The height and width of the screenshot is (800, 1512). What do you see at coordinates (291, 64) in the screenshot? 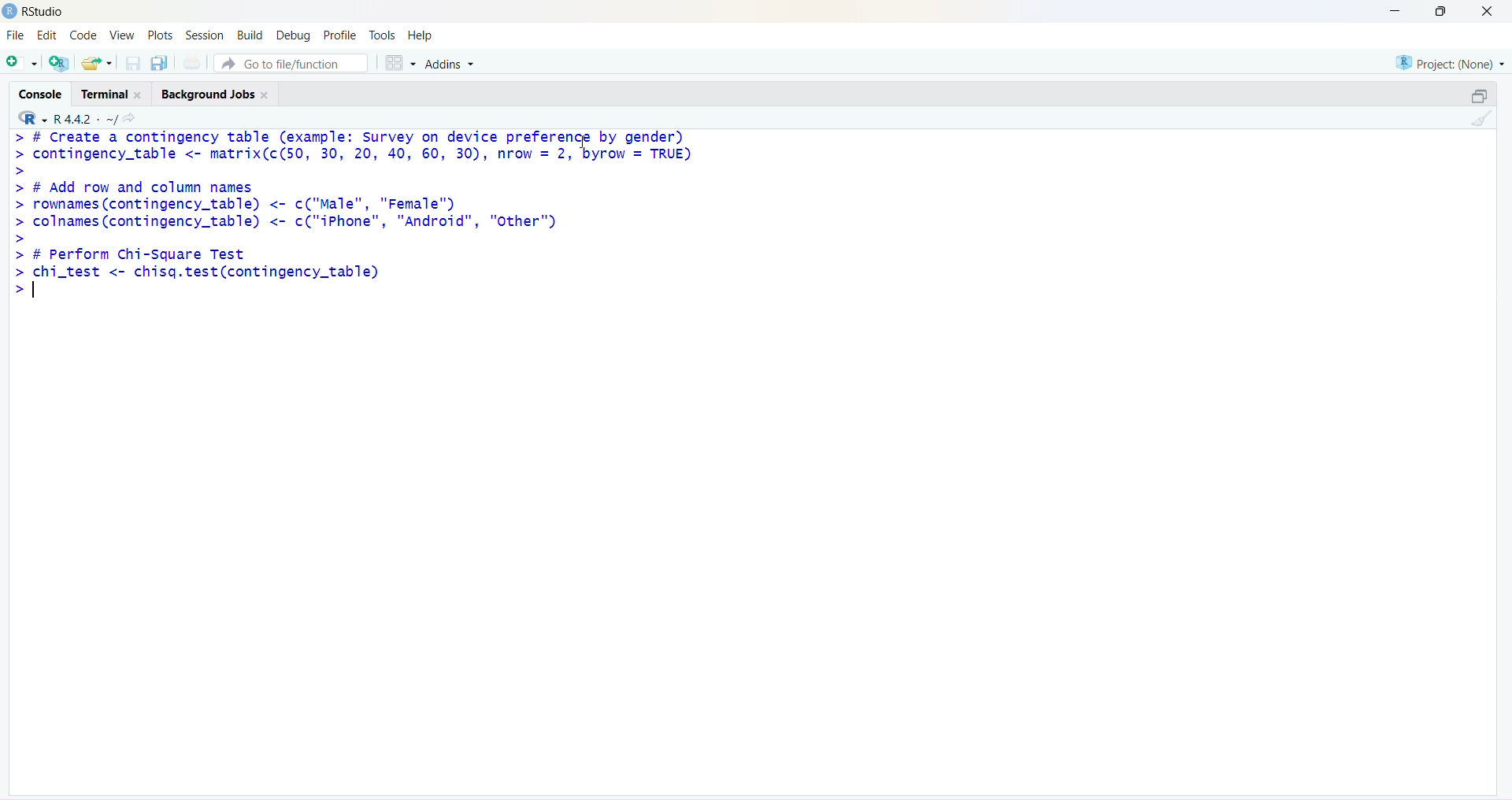
I see `go to file/function` at bounding box center [291, 64].